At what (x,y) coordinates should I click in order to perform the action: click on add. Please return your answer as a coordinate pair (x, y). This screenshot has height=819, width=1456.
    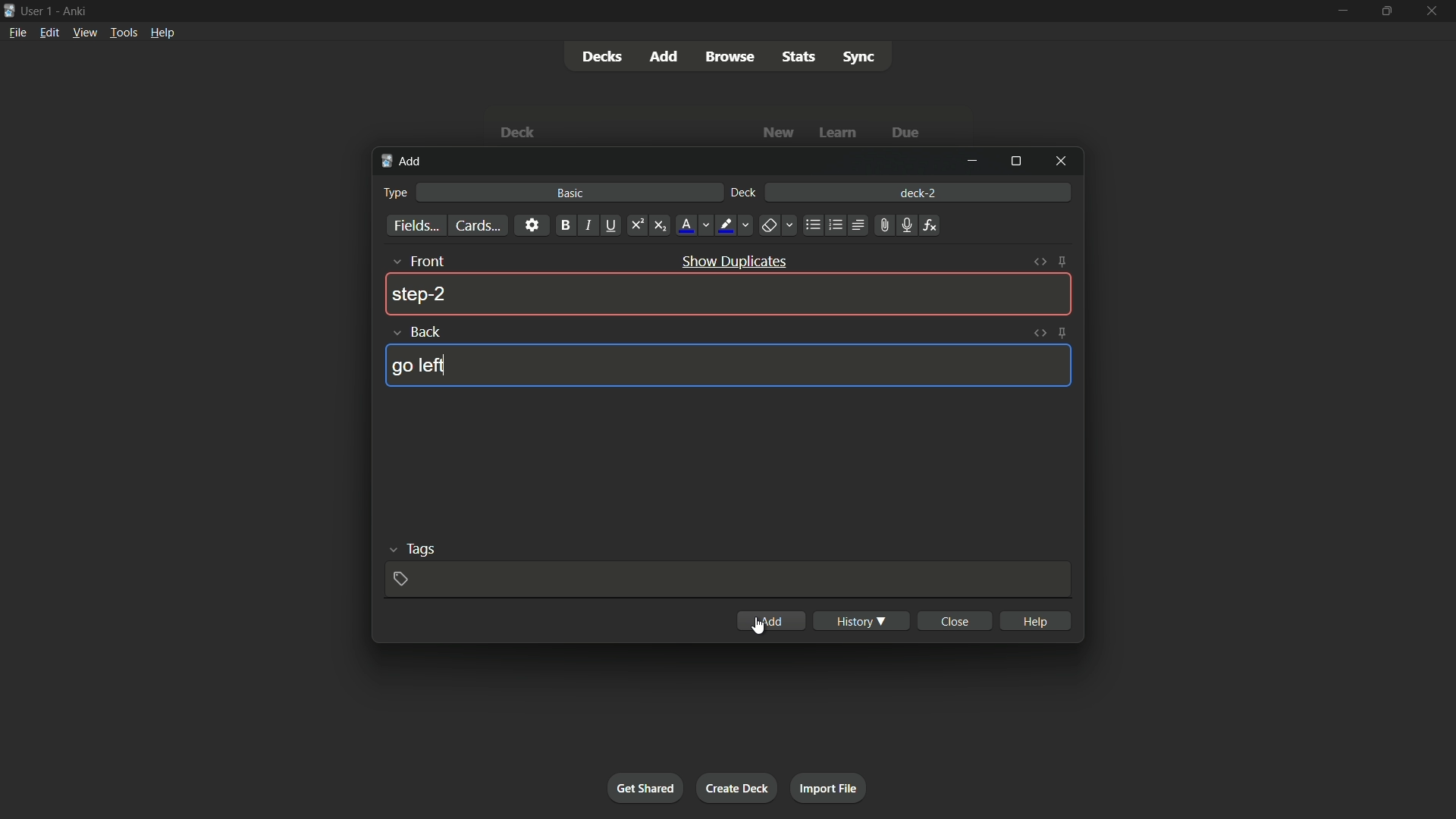
    Looking at the image, I should click on (403, 163).